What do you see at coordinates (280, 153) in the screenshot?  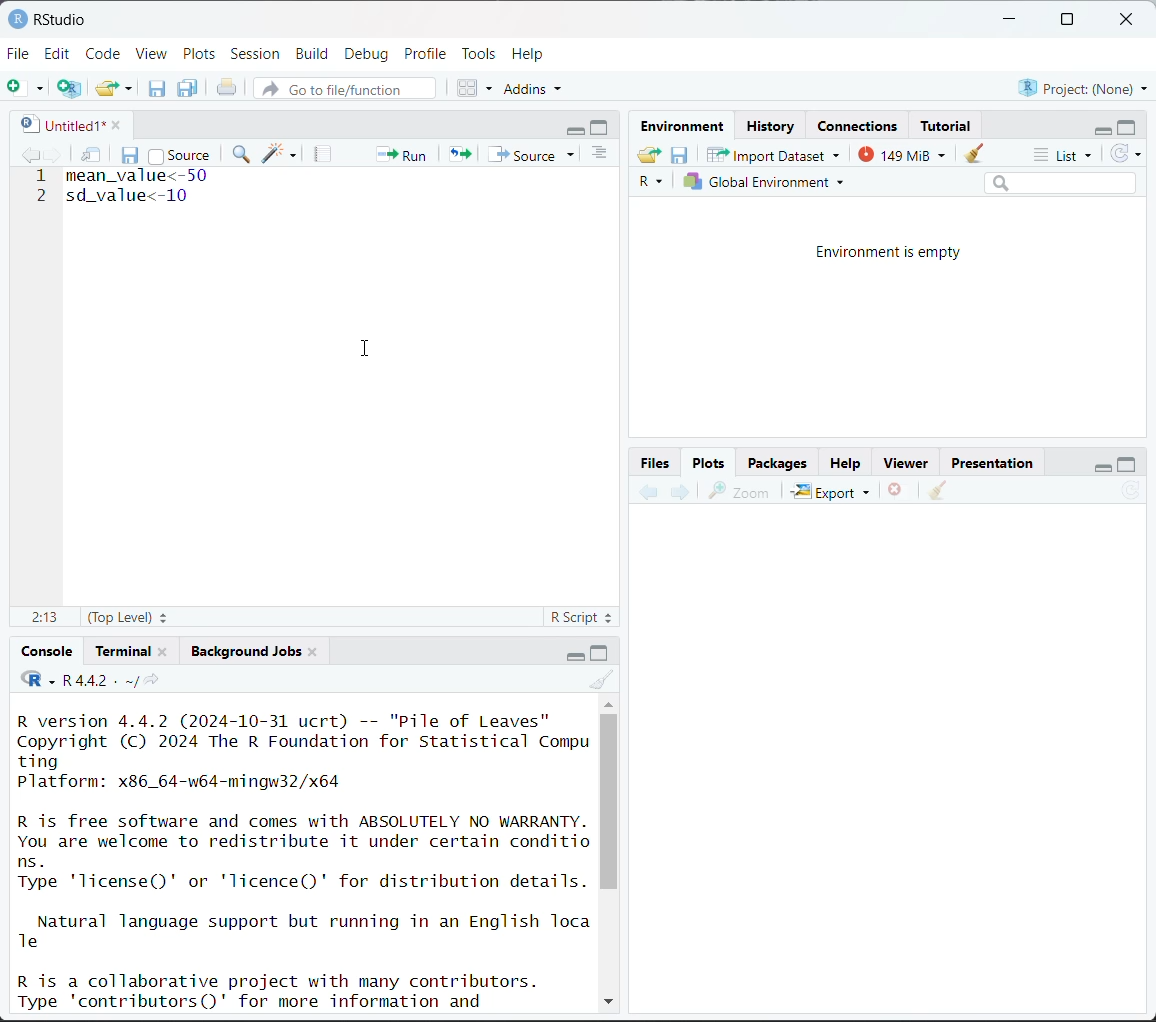 I see `code tools` at bounding box center [280, 153].